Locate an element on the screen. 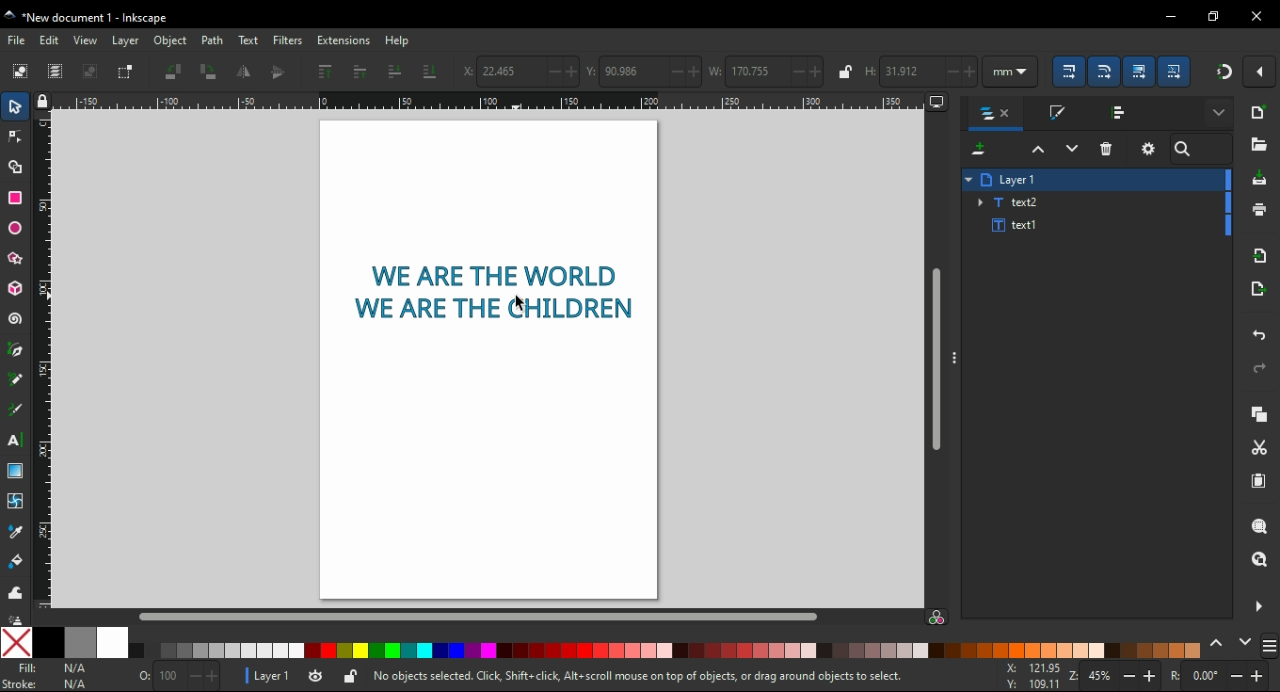 Image resolution: width=1280 pixels, height=692 pixels. help is located at coordinates (400, 41).